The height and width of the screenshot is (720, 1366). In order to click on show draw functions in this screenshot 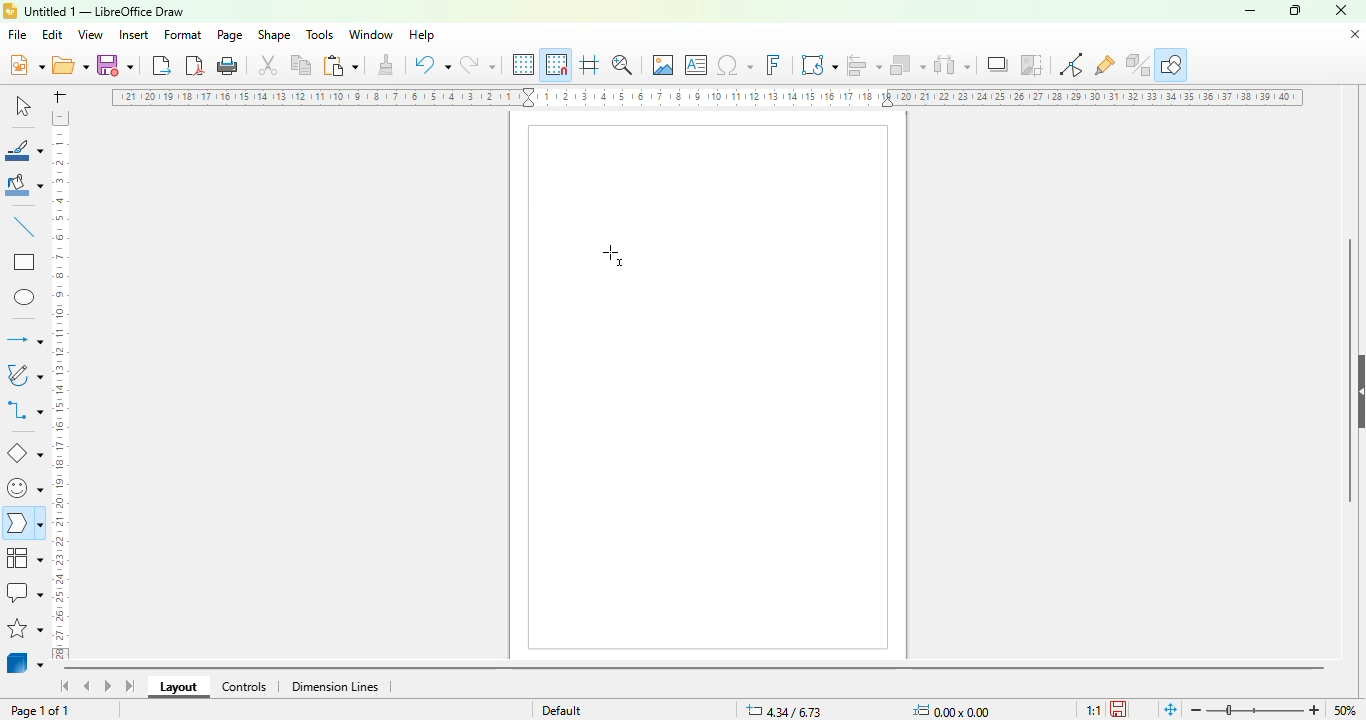, I will do `click(1172, 64)`.